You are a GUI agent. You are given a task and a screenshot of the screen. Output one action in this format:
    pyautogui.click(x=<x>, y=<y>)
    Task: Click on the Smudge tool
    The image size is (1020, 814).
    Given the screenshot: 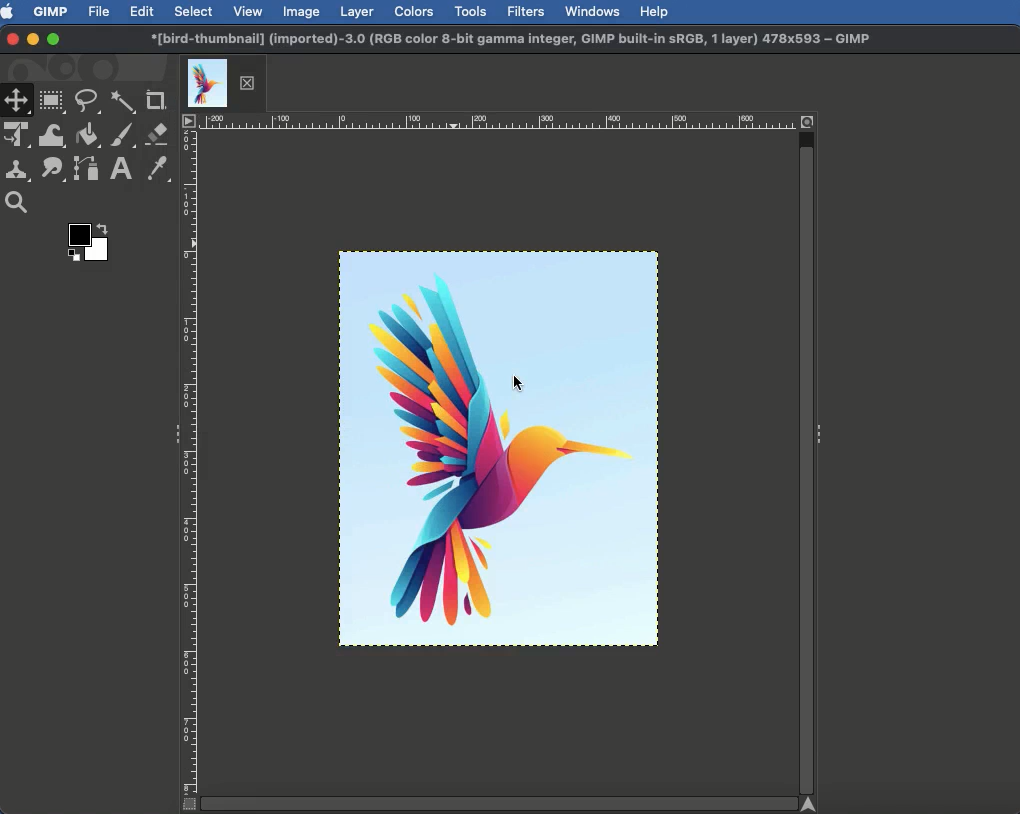 What is the action you would take?
    pyautogui.click(x=54, y=171)
    